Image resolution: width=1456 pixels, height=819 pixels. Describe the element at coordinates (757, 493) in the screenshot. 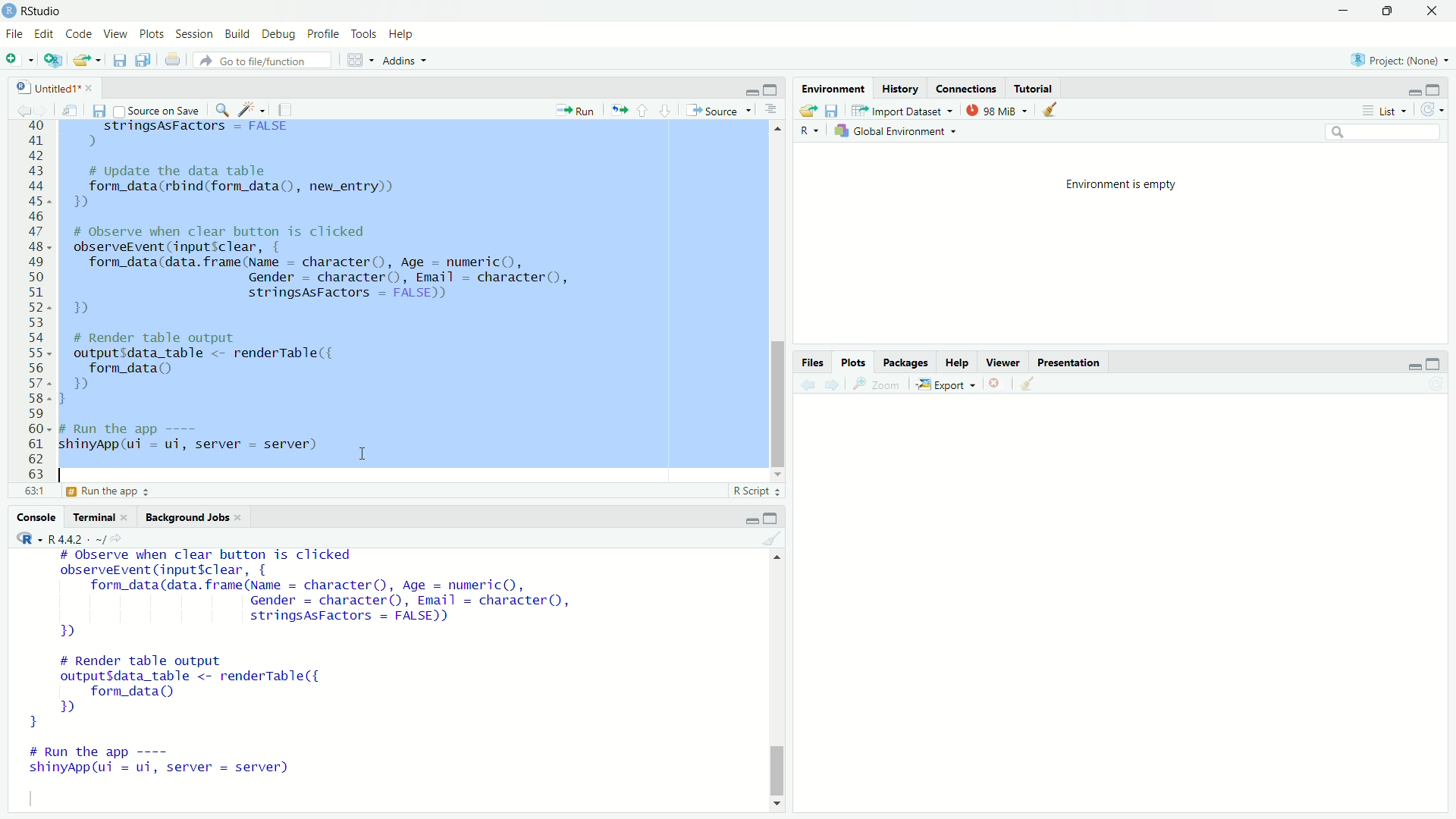

I see `R script` at that location.